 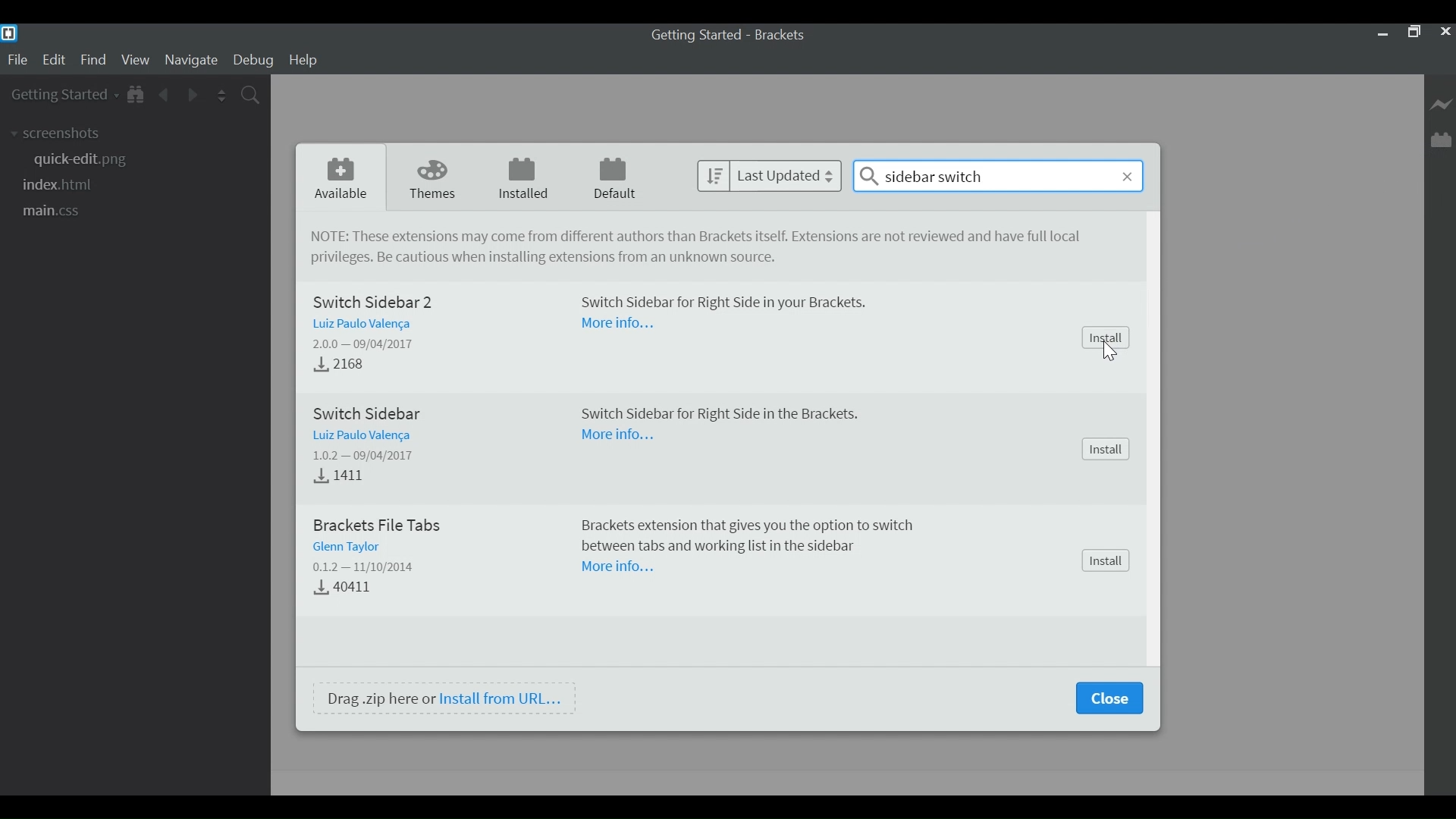 I want to click on Navigate Back, so click(x=165, y=93).